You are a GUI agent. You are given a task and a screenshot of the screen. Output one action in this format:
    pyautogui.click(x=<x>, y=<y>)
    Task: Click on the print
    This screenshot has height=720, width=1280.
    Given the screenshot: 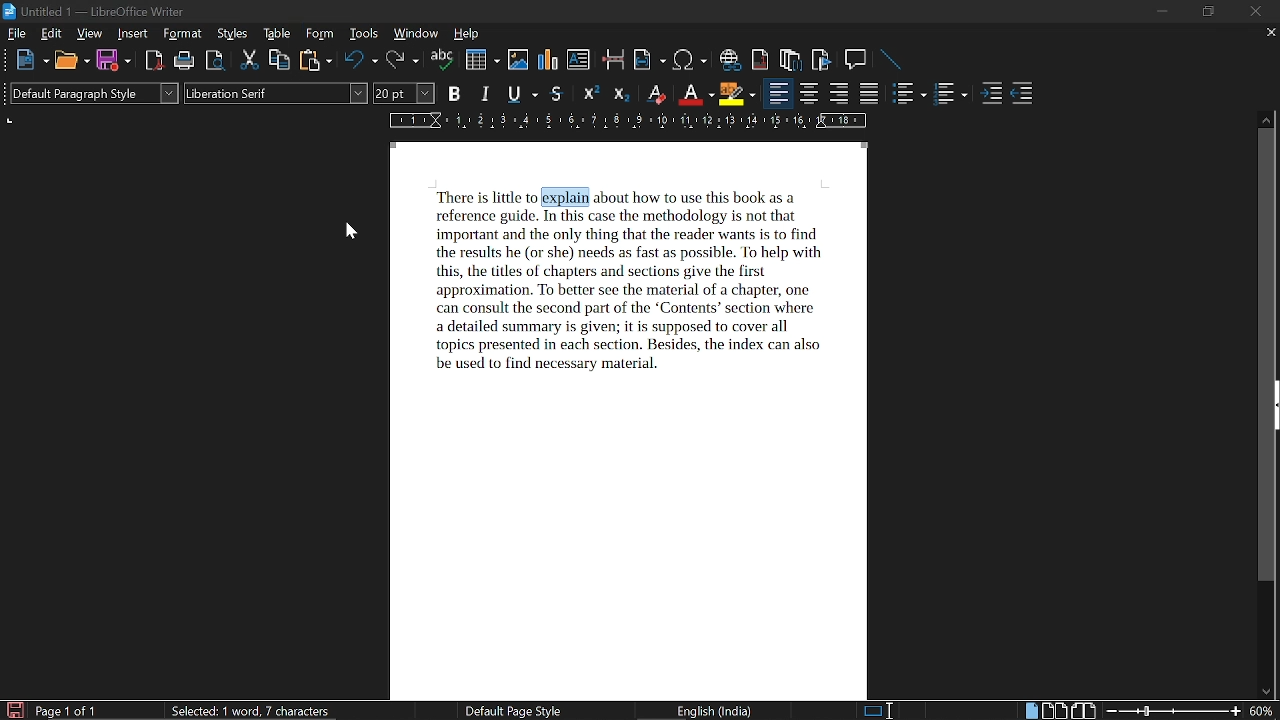 What is the action you would take?
    pyautogui.click(x=185, y=61)
    